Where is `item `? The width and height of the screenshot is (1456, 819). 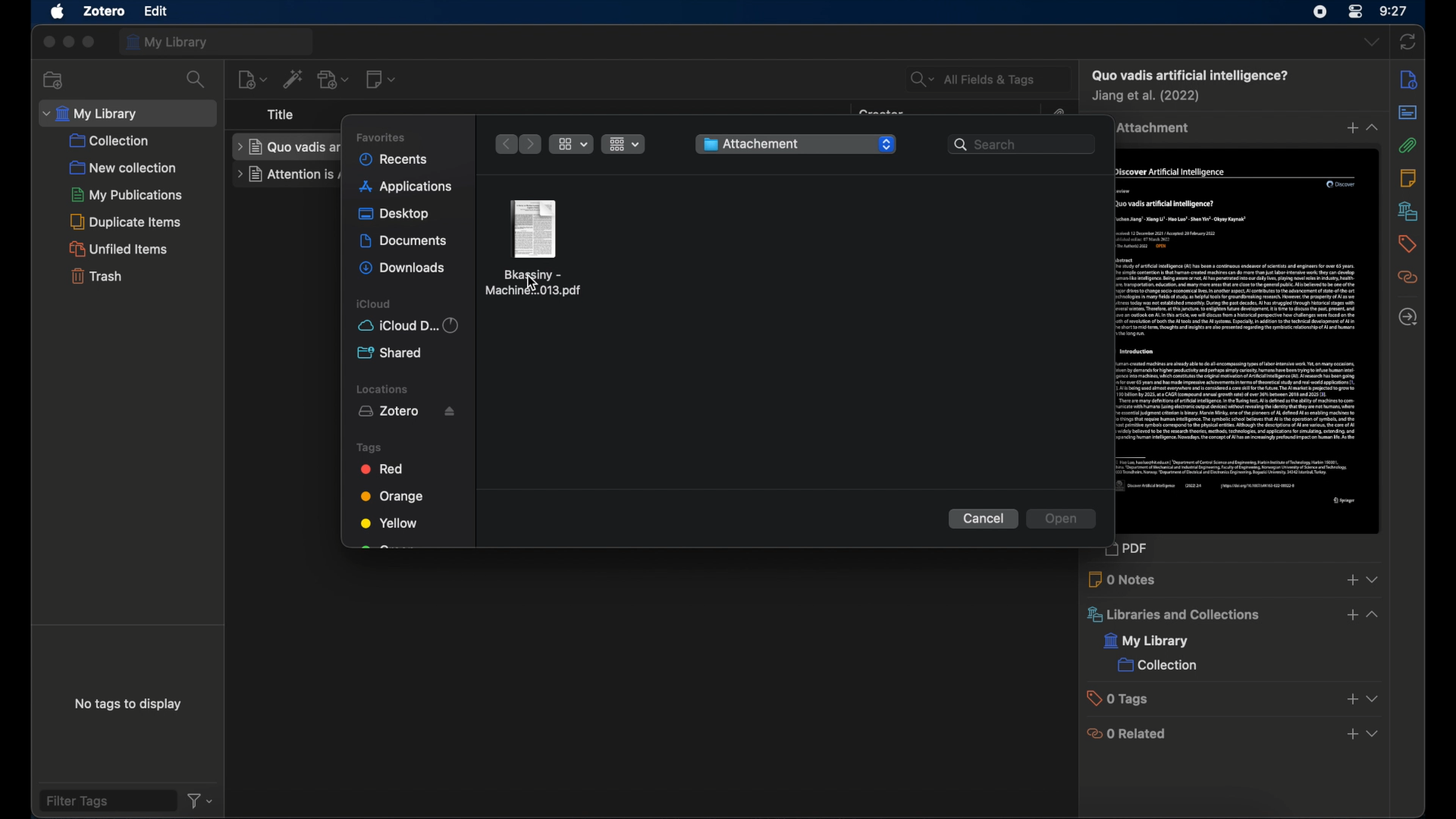
item  is located at coordinates (1188, 75).